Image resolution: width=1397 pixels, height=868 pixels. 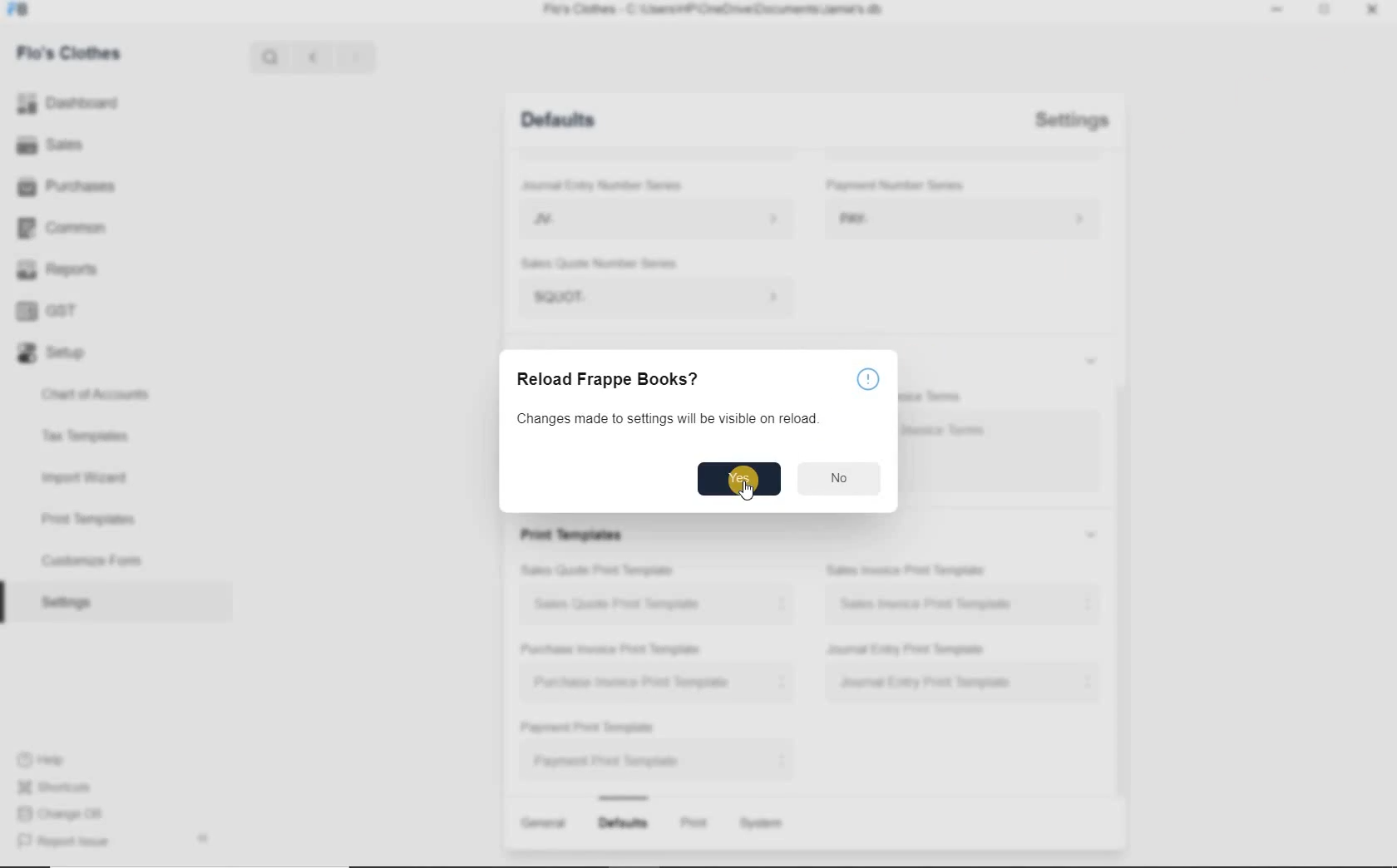 What do you see at coordinates (664, 604) in the screenshot?
I see `Sales Quote Print Template` at bounding box center [664, 604].